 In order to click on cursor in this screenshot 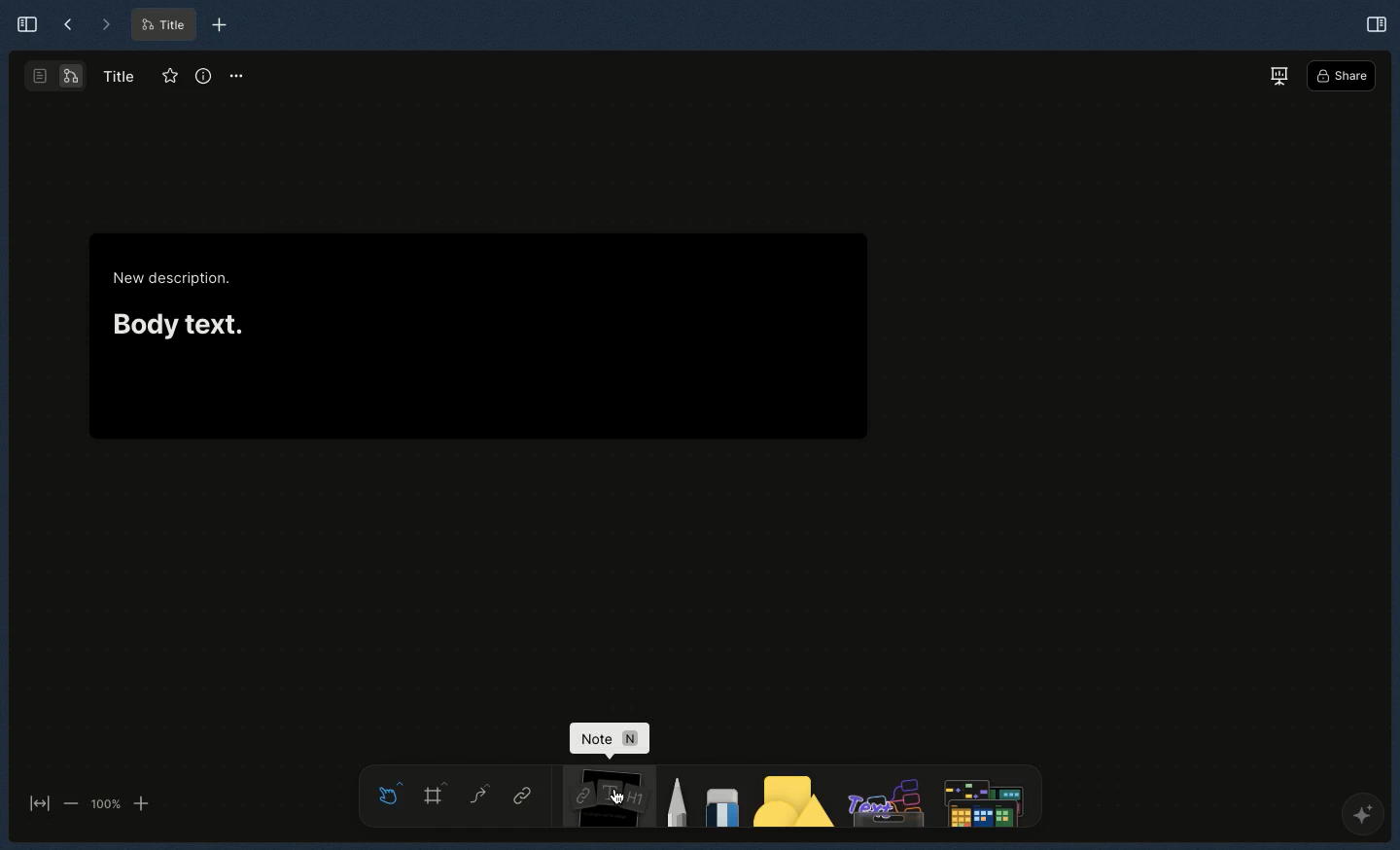, I will do `click(620, 797)`.